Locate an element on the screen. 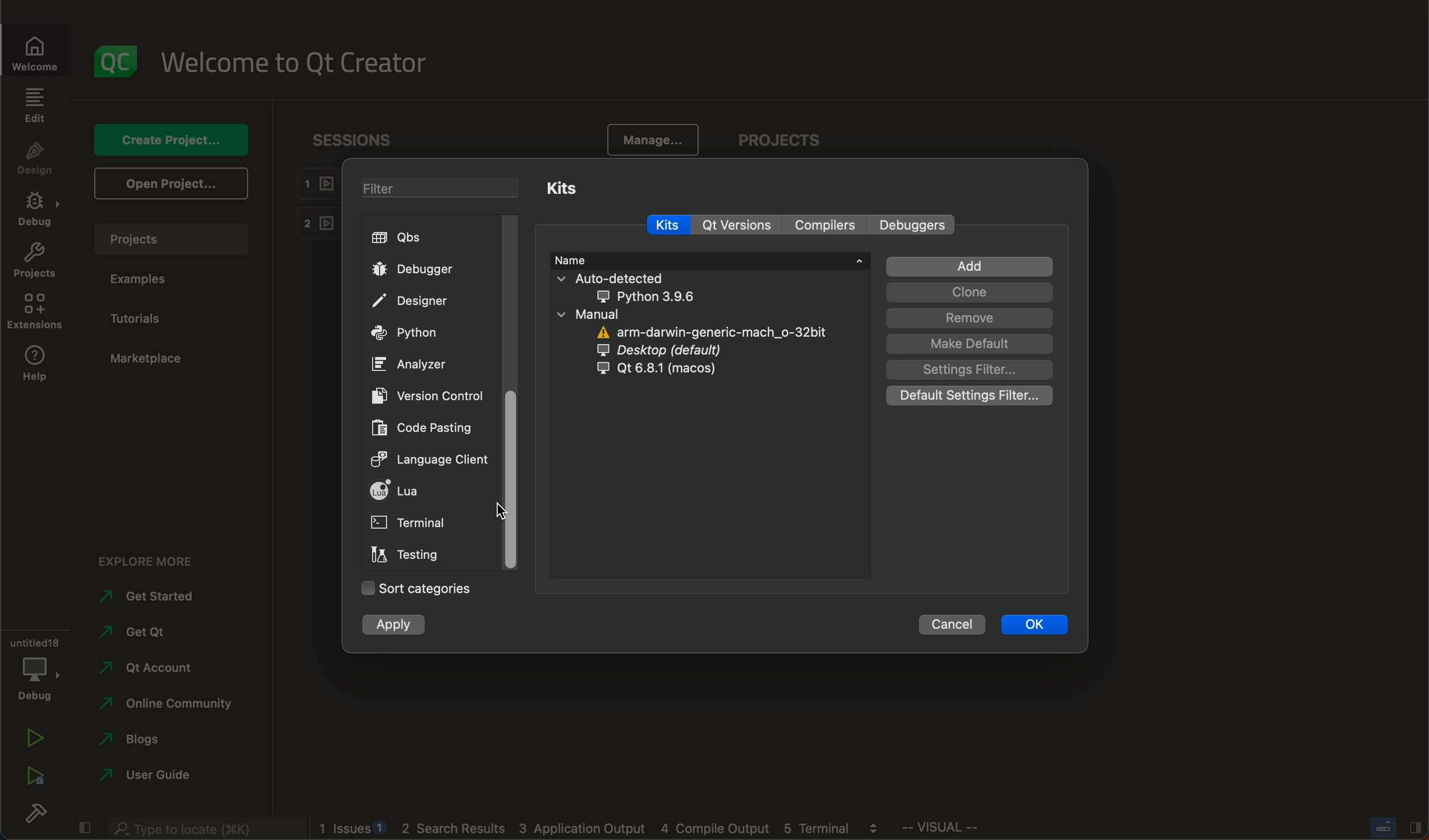 The height and width of the screenshot is (840, 1429). tutorials is located at coordinates (149, 317).